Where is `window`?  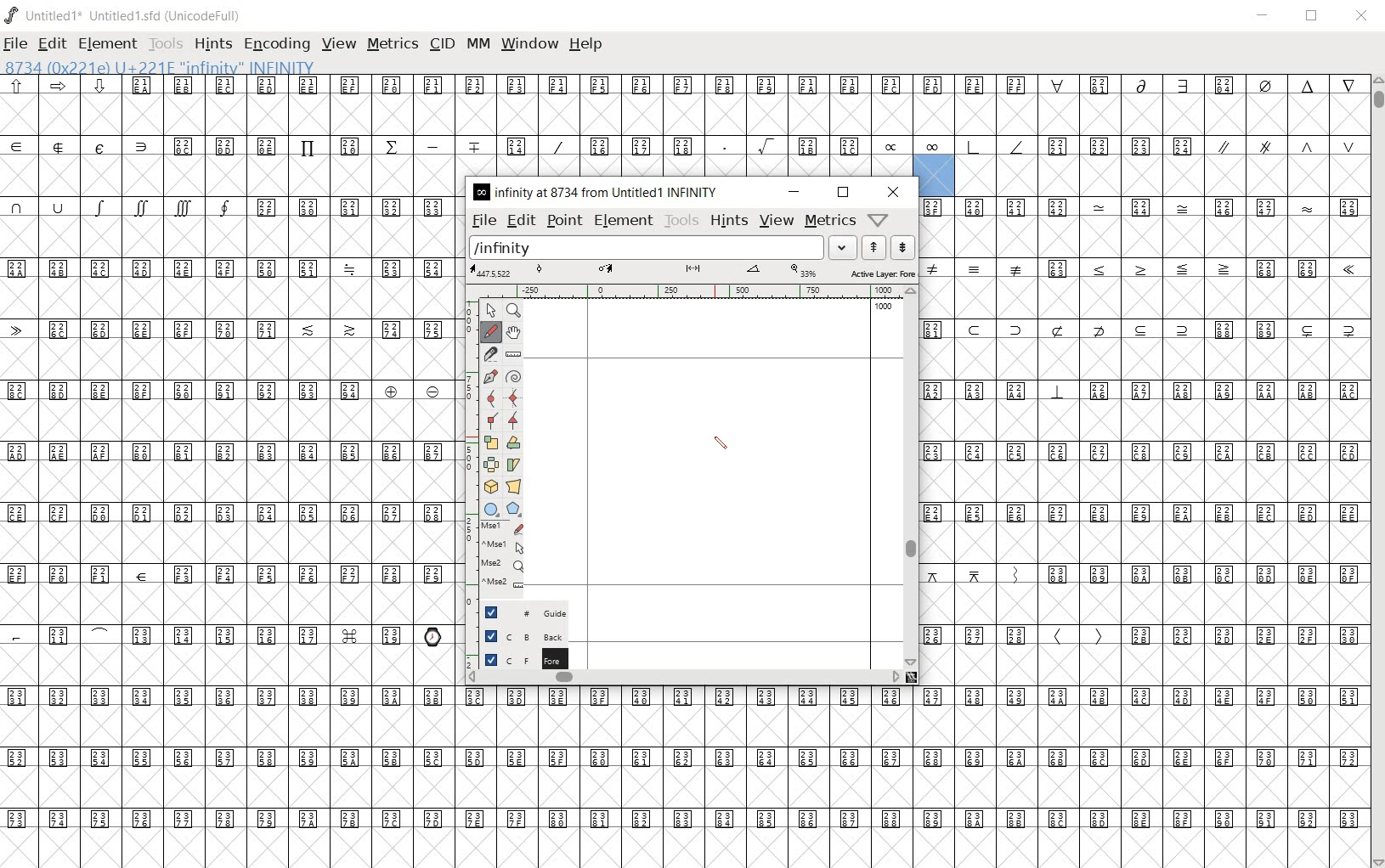 window is located at coordinates (529, 45).